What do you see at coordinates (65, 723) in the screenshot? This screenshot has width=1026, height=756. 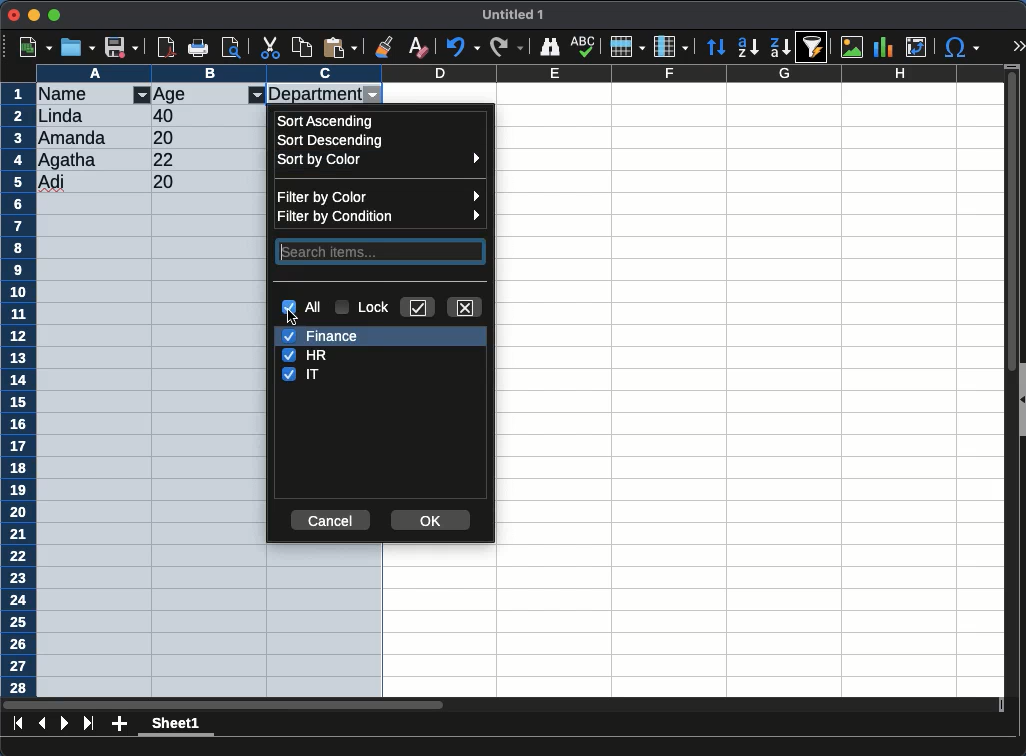 I see `next page` at bounding box center [65, 723].